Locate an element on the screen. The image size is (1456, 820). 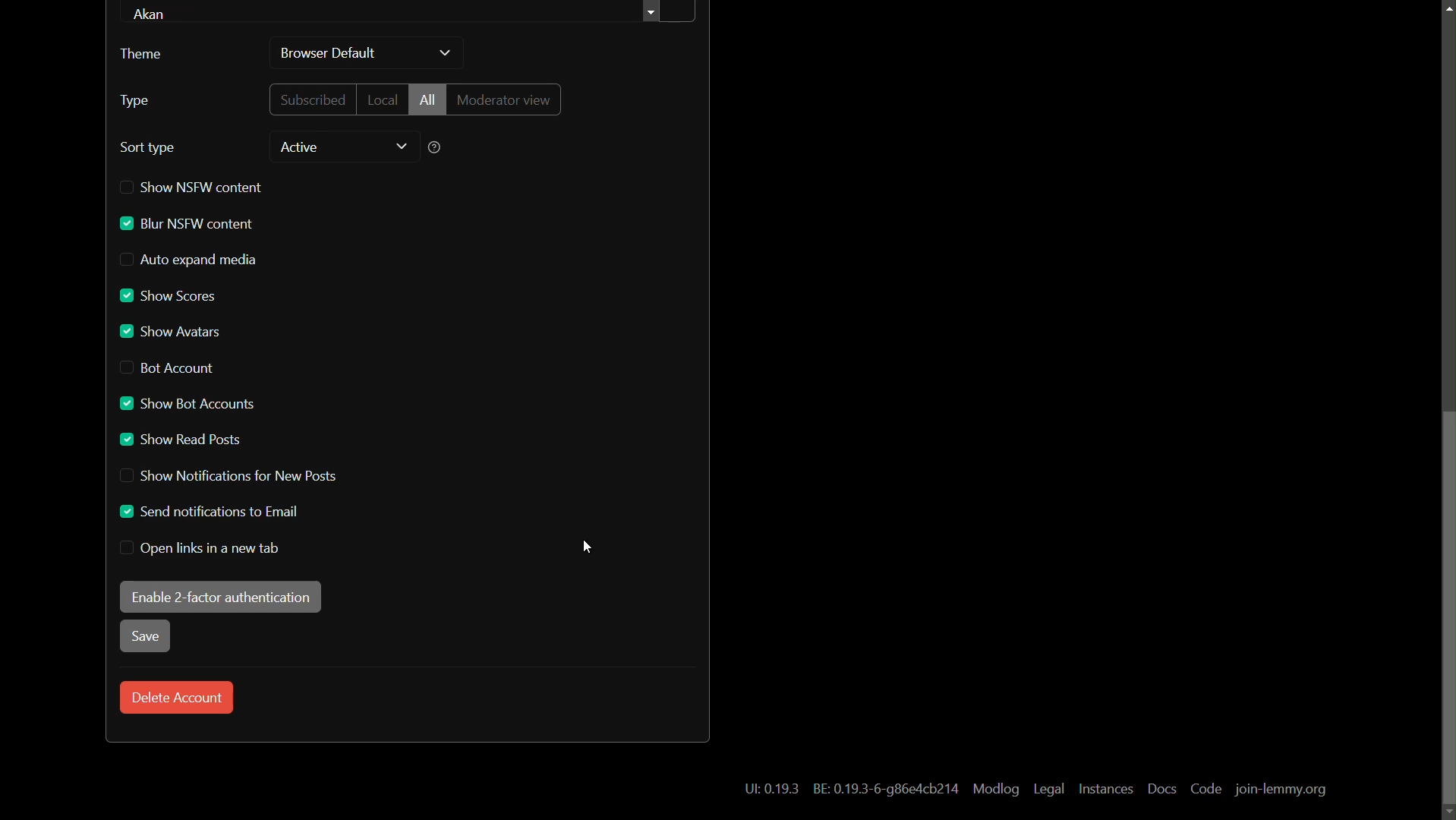
type is located at coordinates (135, 100).